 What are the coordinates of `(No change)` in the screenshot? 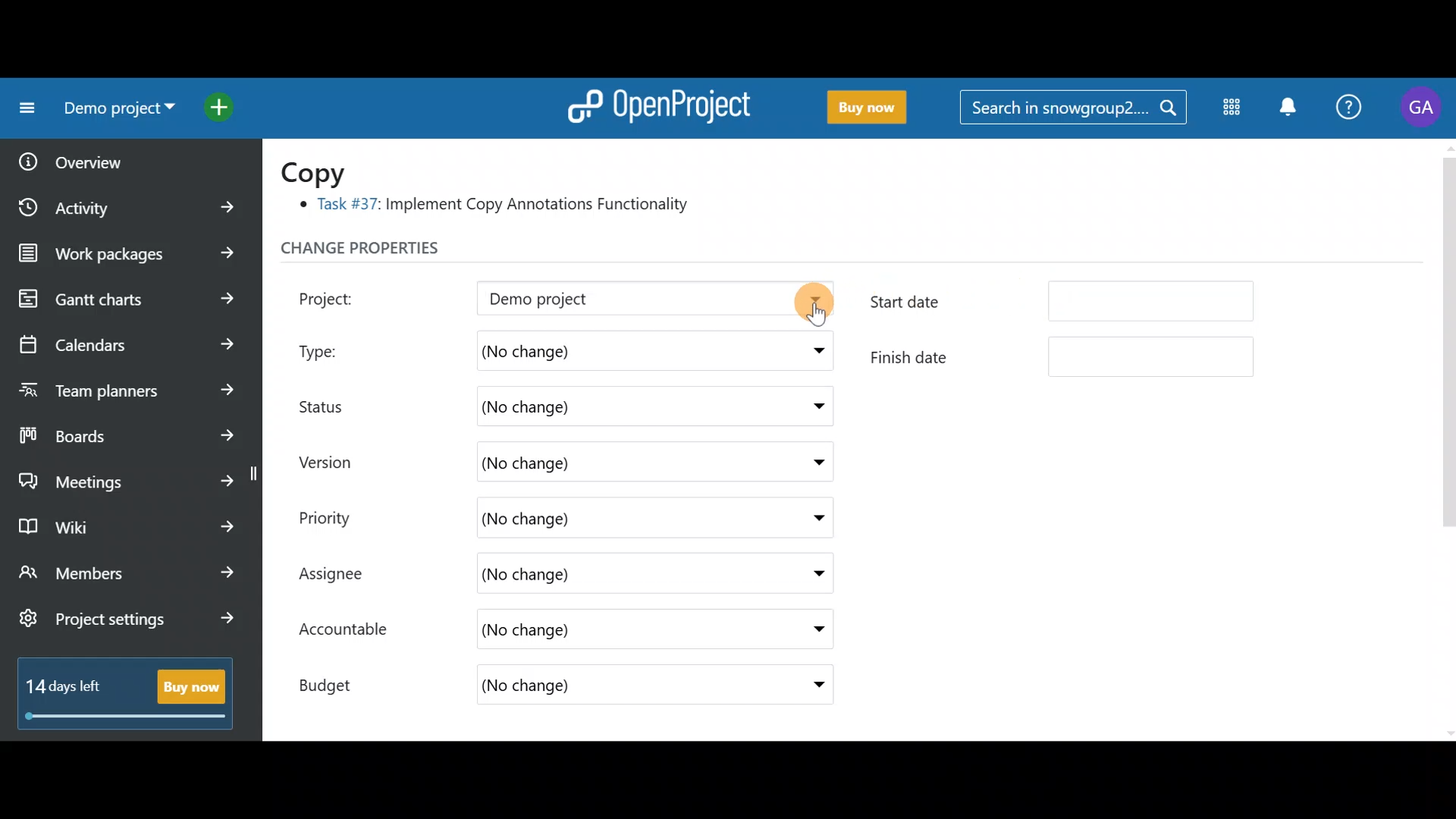 It's located at (582, 632).